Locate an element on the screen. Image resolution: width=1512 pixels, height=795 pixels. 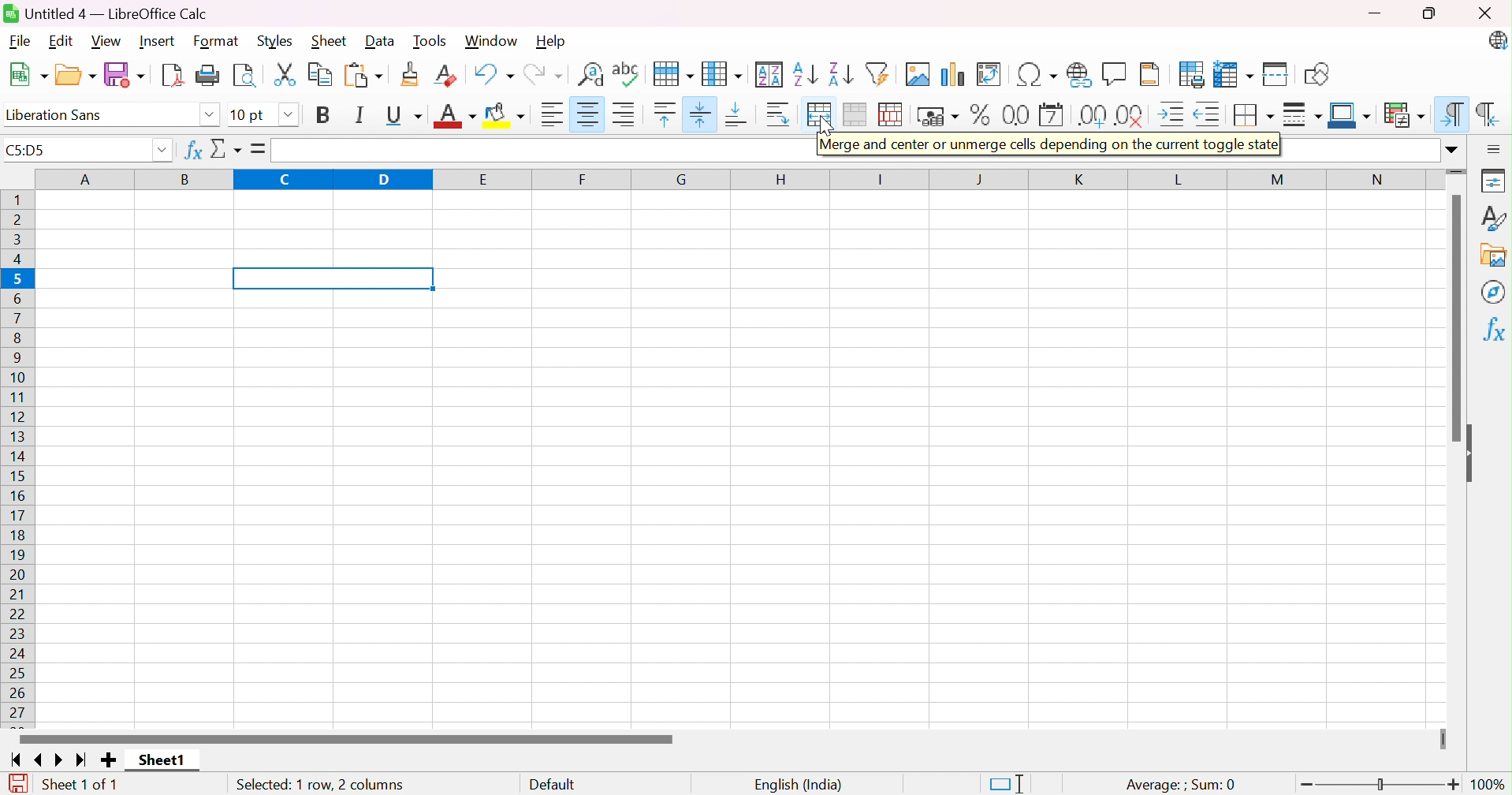
Column Name is located at coordinates (736, 180).